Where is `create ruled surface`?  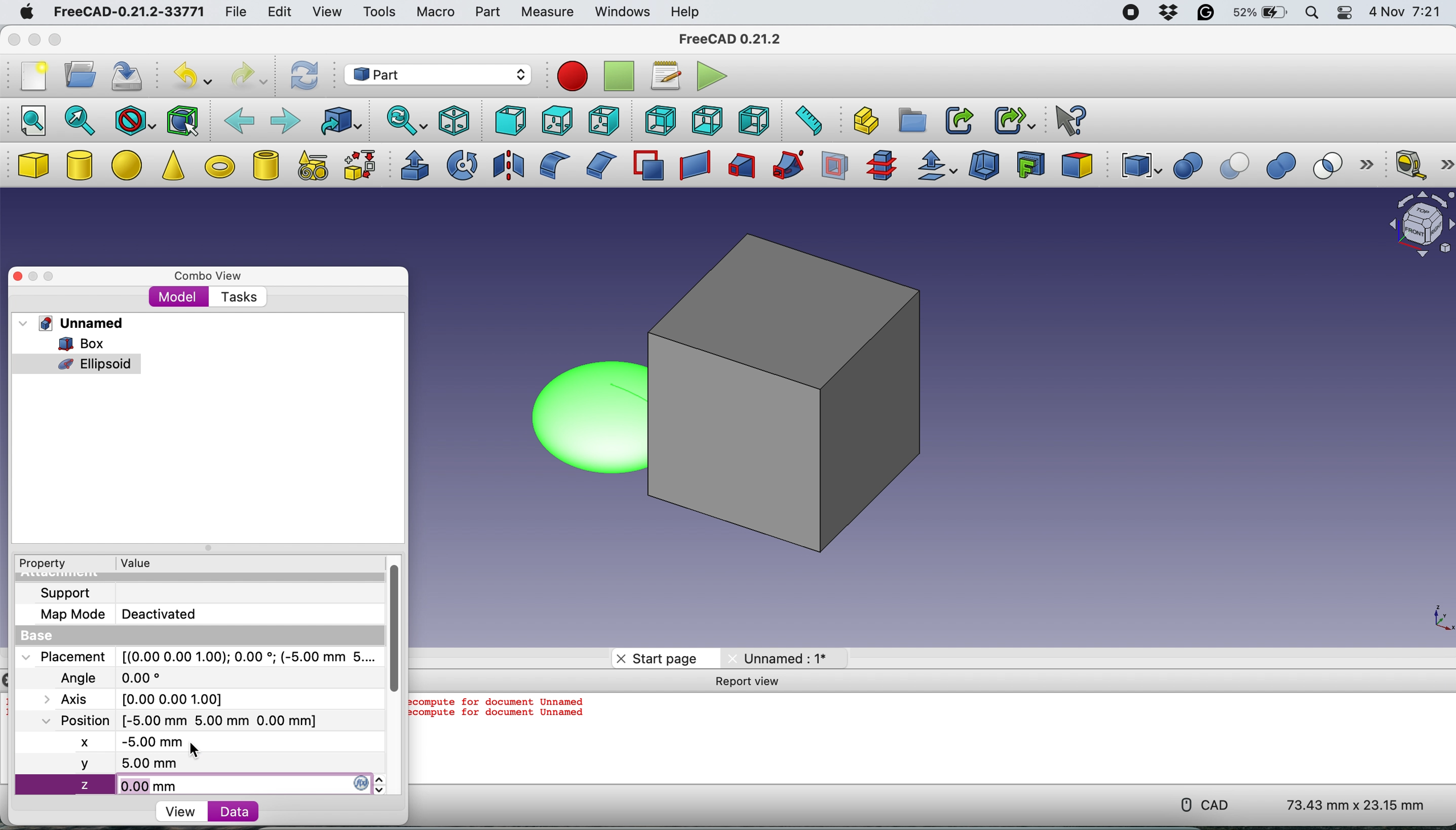
create ruled surface is located at coordinates (692, 166).